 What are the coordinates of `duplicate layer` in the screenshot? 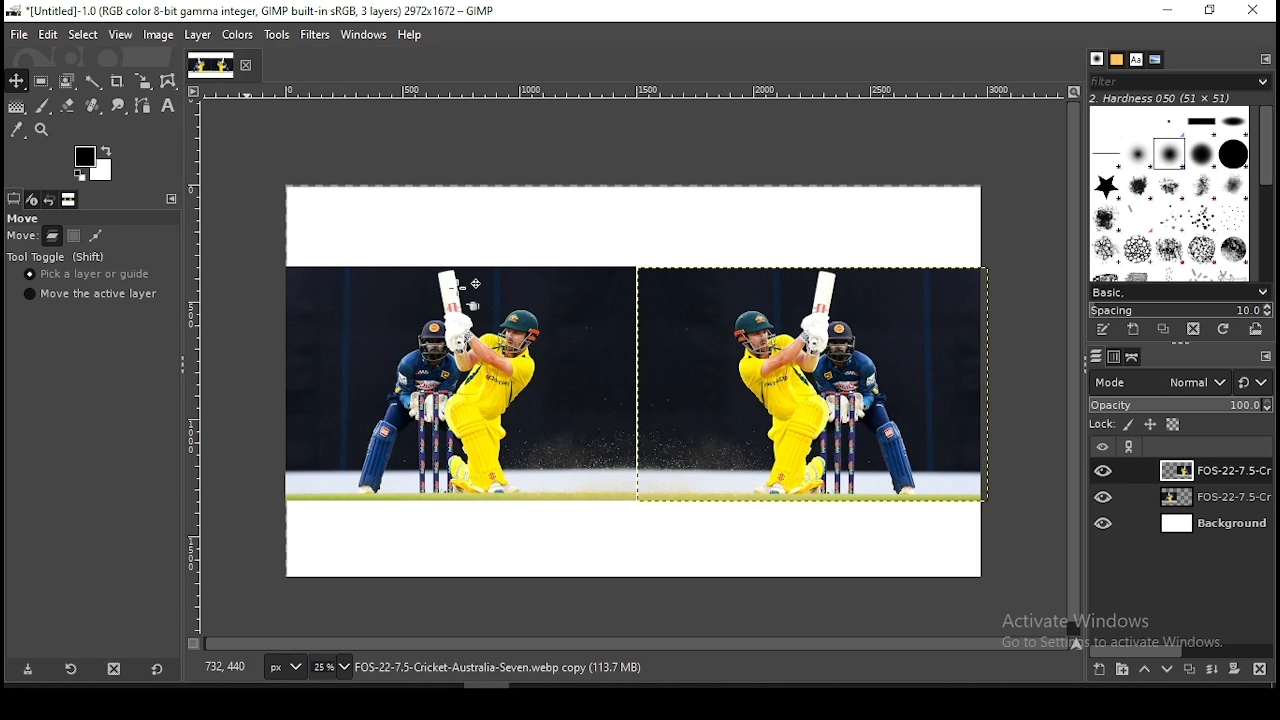 It's located at (1186, 672).